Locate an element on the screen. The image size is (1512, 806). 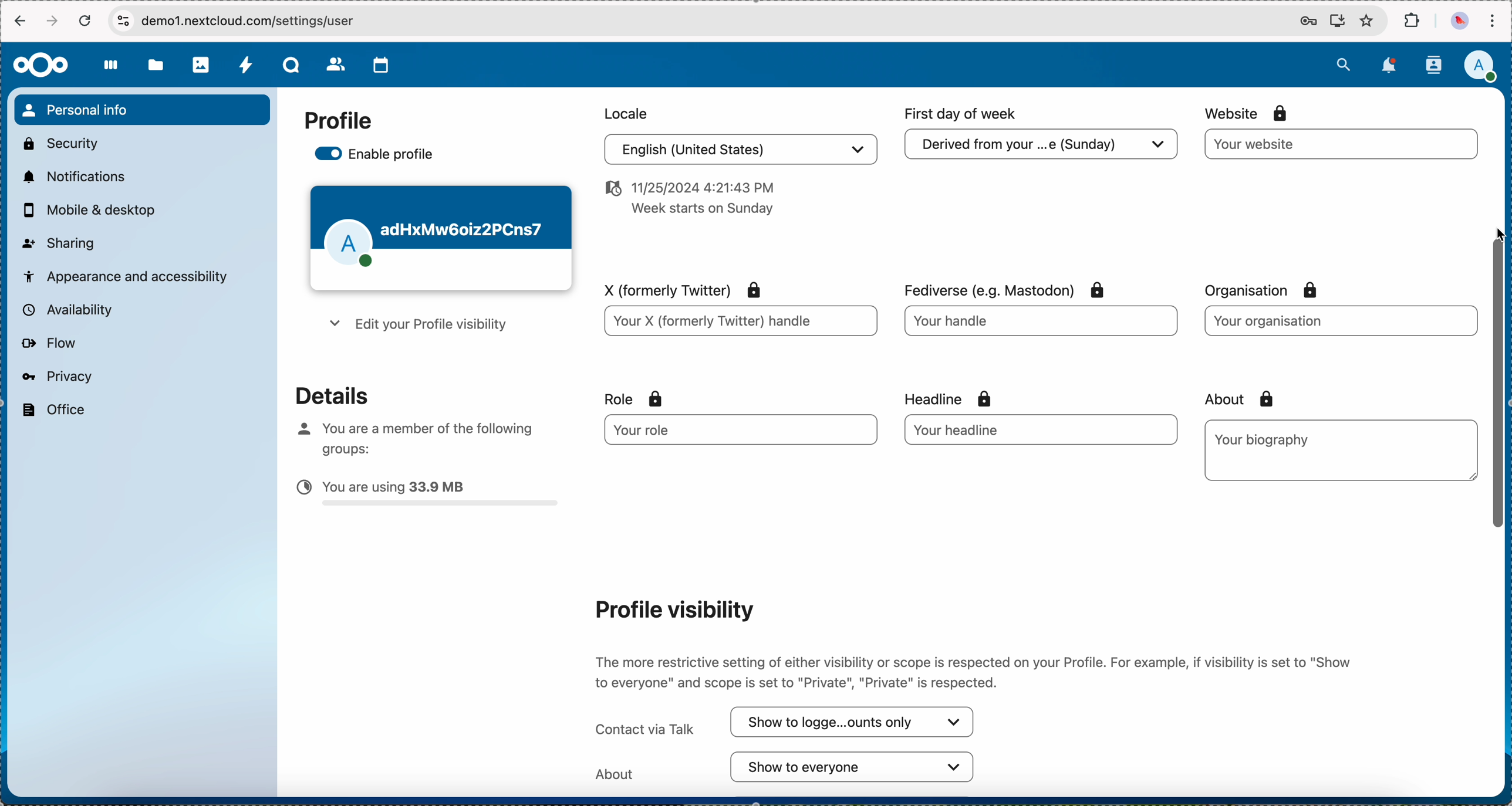
activity is located at coordinates (247, 66).